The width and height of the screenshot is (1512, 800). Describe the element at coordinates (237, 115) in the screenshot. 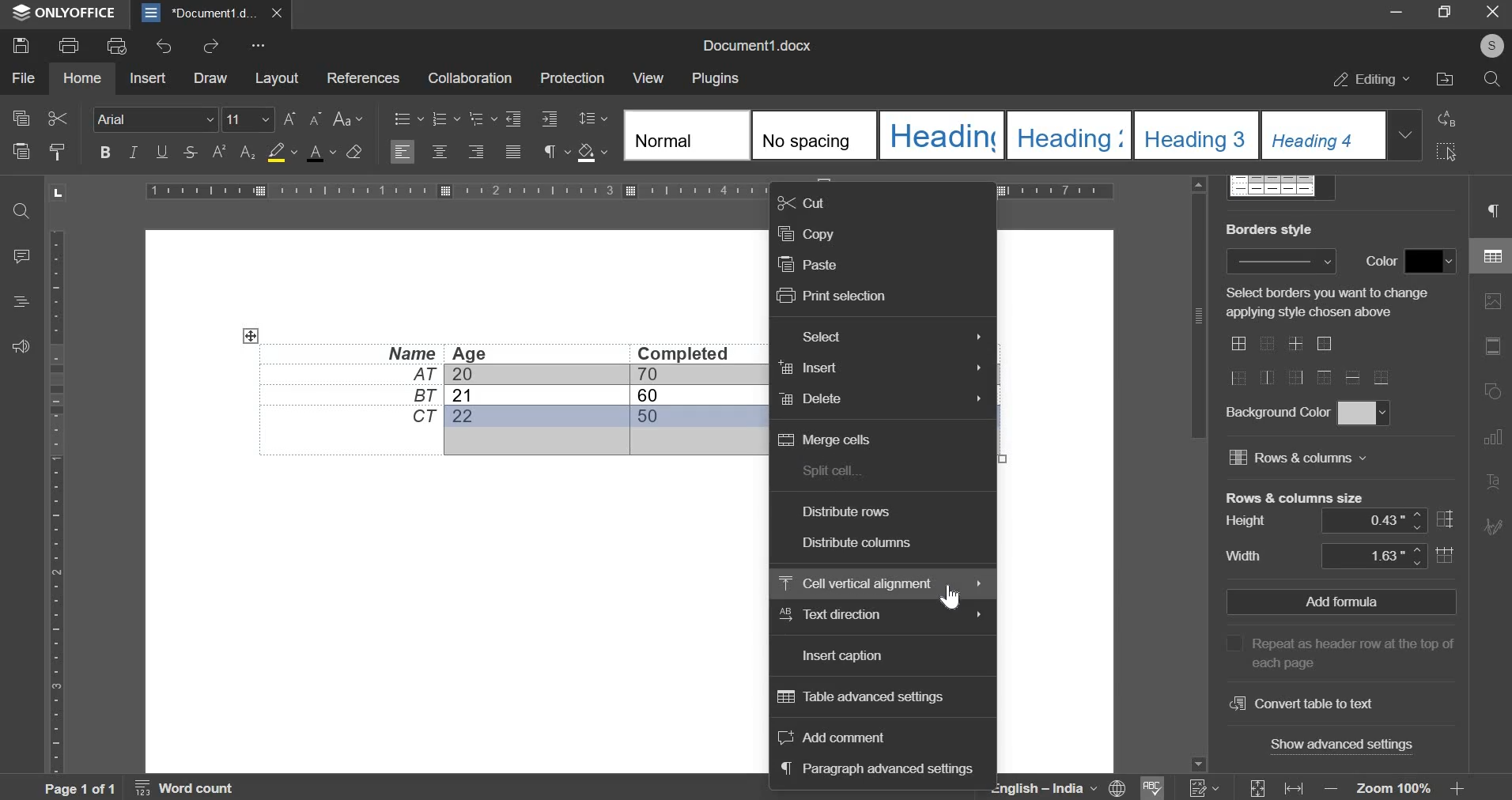

I see `font size` at that location.